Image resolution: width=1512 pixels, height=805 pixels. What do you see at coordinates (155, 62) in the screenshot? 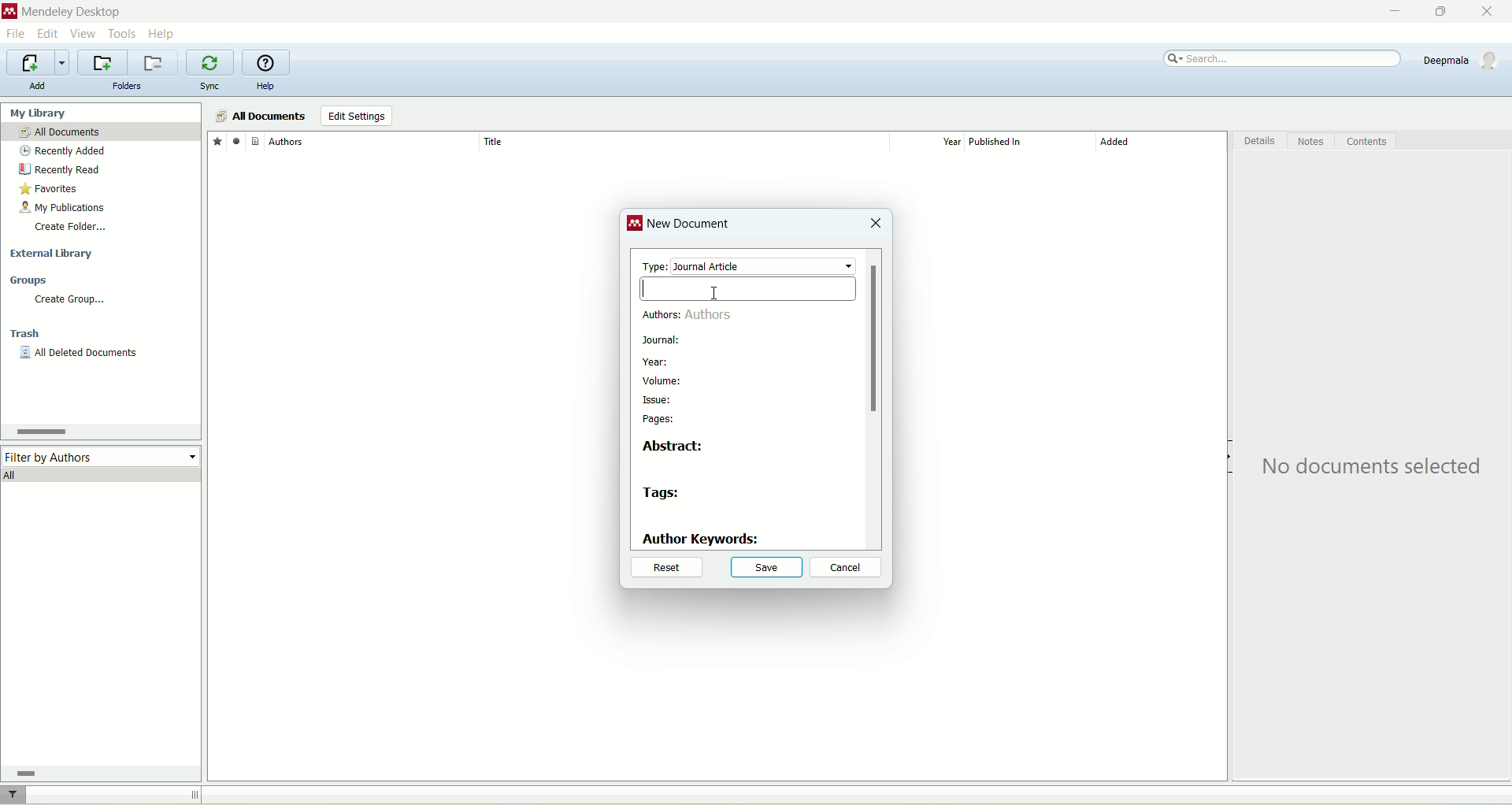
I see `remove current folder` at bounding box center [155, 62].